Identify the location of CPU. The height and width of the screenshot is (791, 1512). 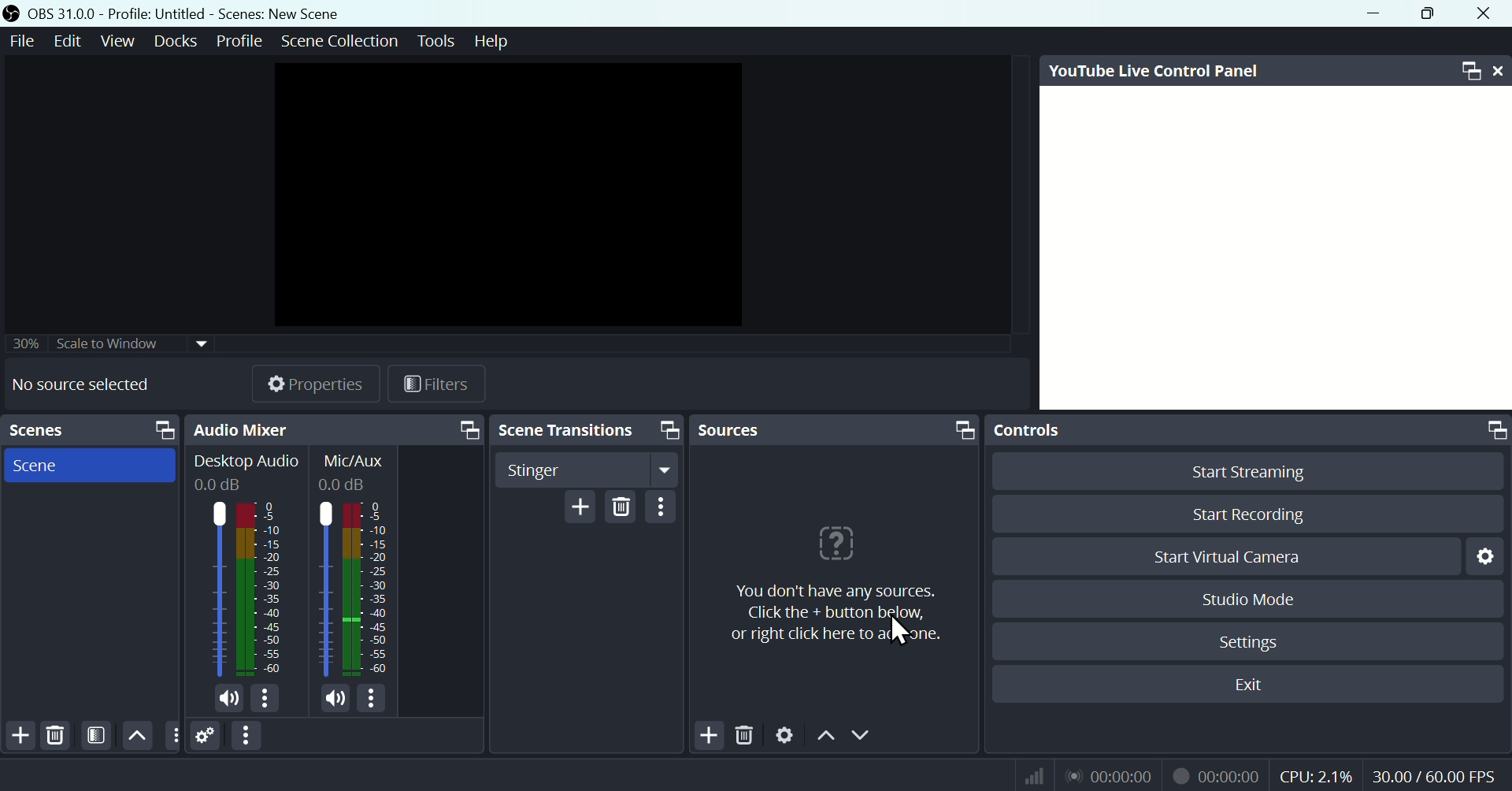
(1315, 774).